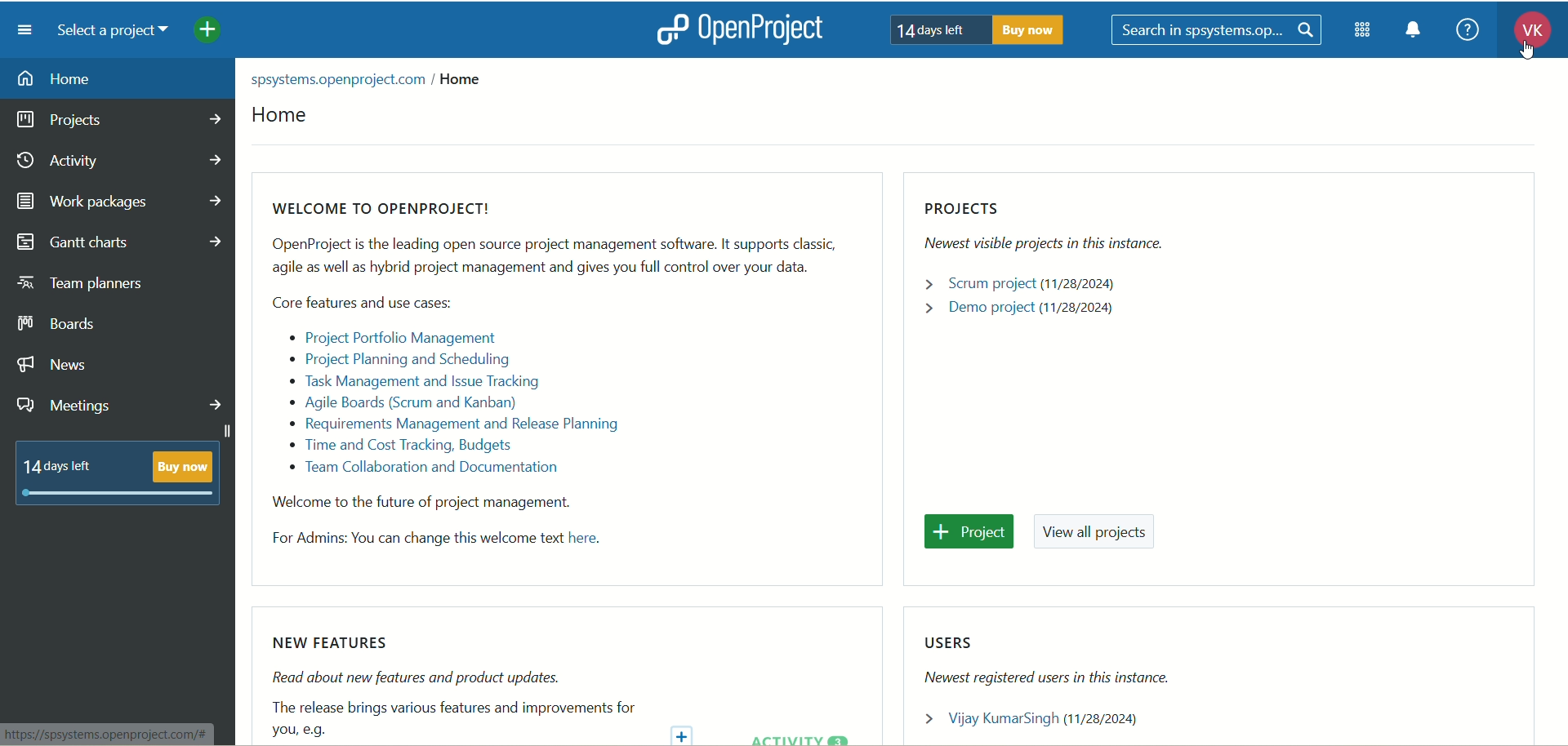 The height and width of the screenshot is (746, 1568). What do you see at coordinates (60, 323) in the screenshot?
I see `boards` at bounding box center [60, 323].